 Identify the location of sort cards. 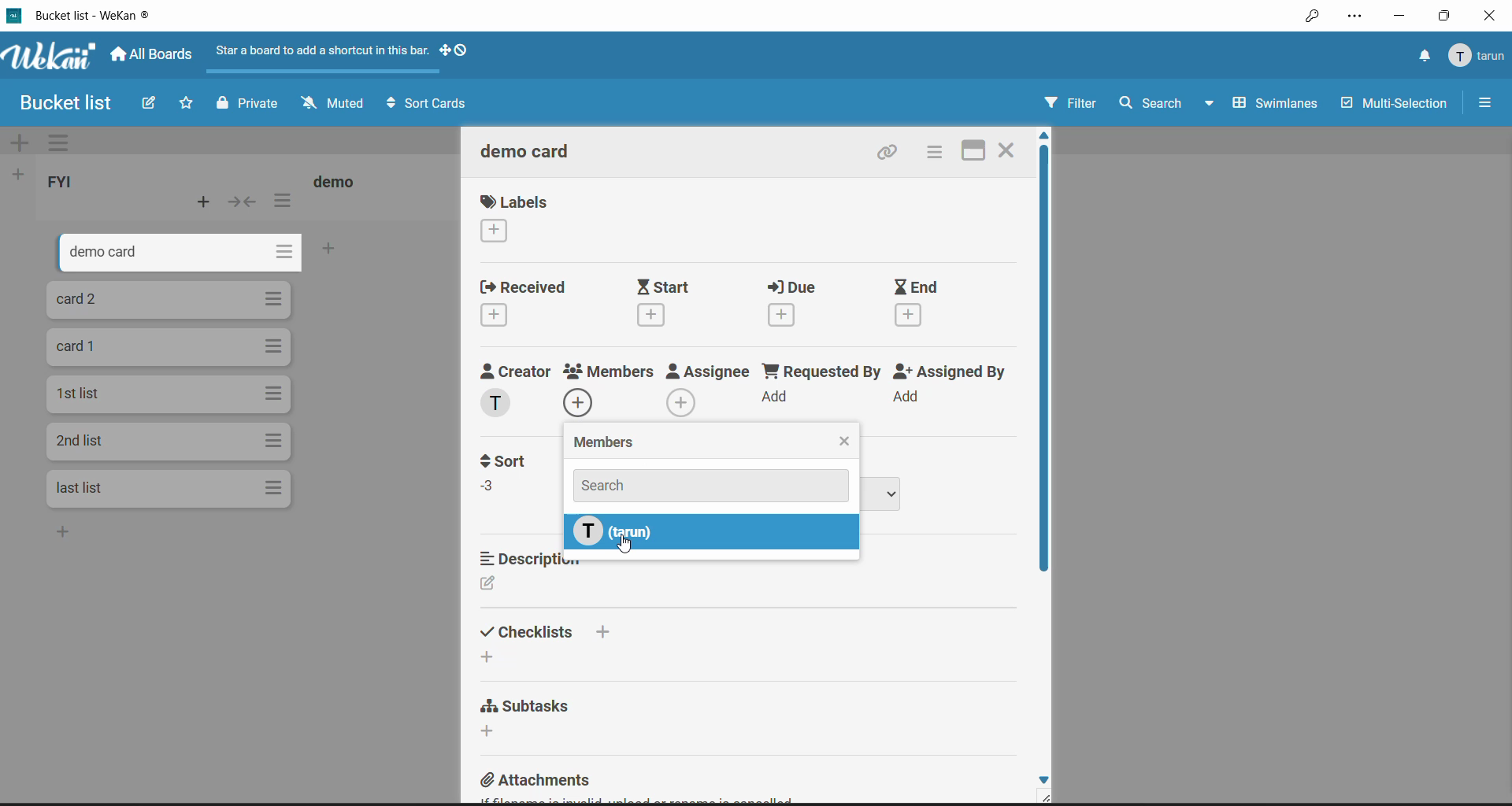
(429, 103).